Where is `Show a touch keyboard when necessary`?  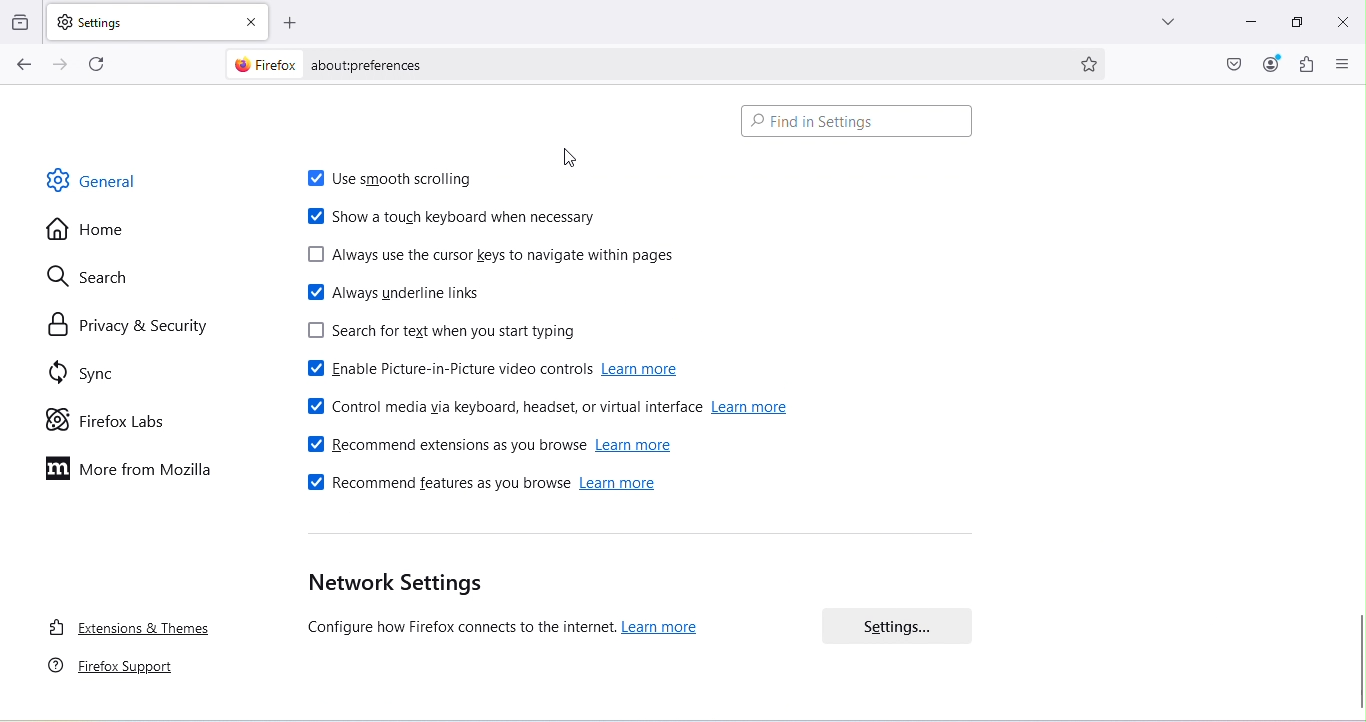 Show a touch keyboard when necessary is located at coordinates (455, 217).